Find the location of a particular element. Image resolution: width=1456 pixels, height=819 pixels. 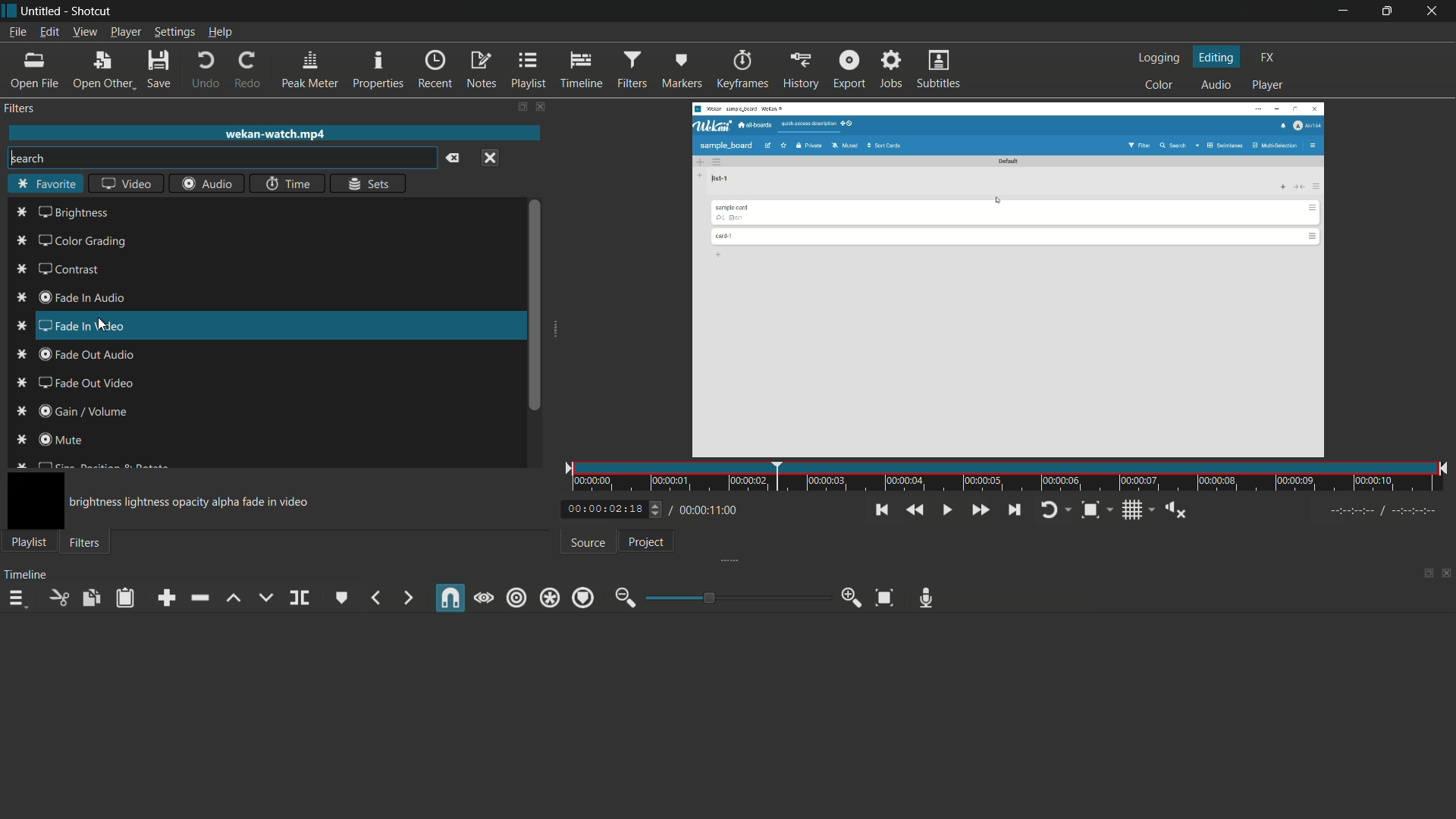

timeline is located at coordinates (581, 71).